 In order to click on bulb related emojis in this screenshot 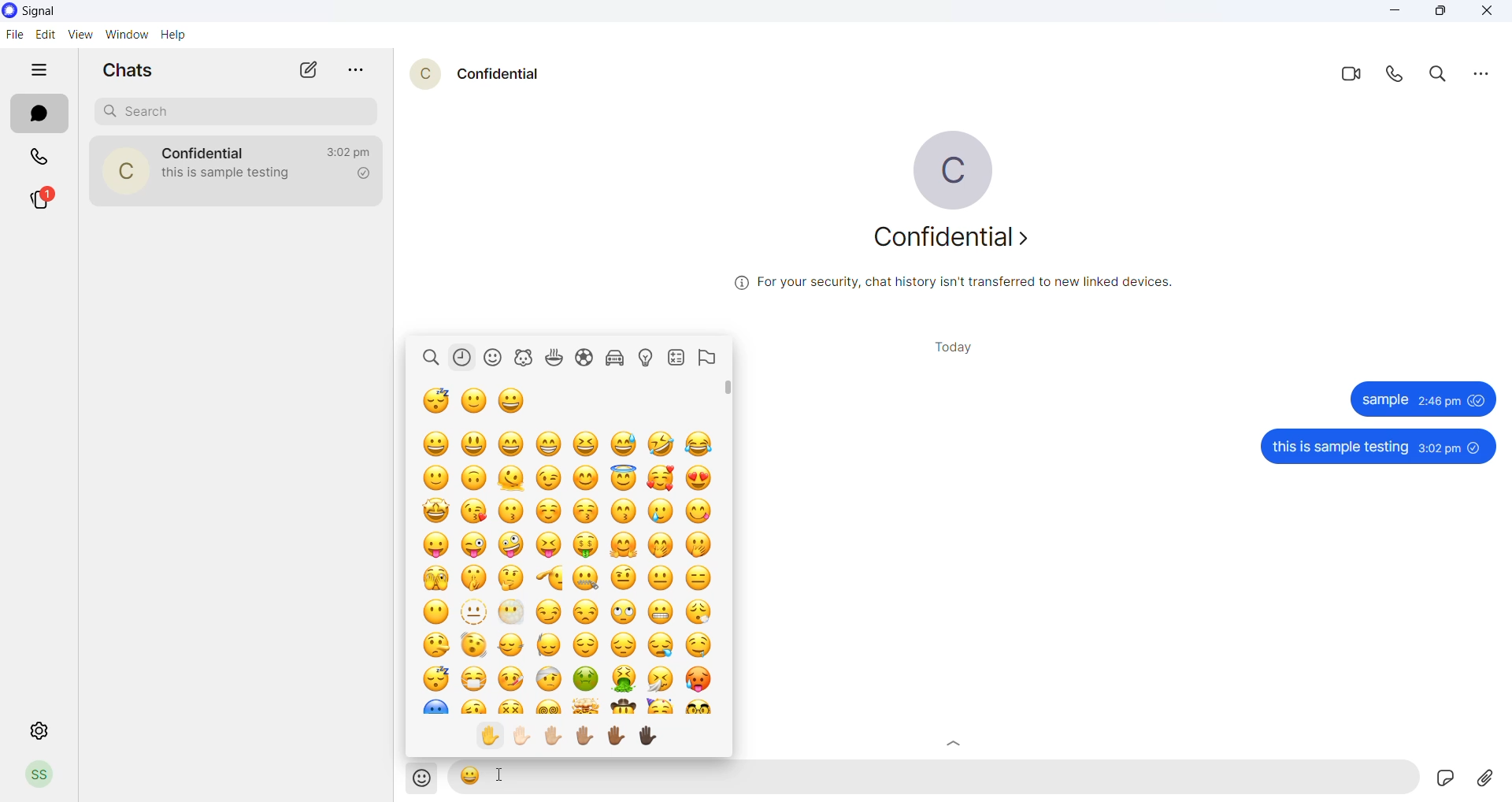, I will do `click(650, 359)`.